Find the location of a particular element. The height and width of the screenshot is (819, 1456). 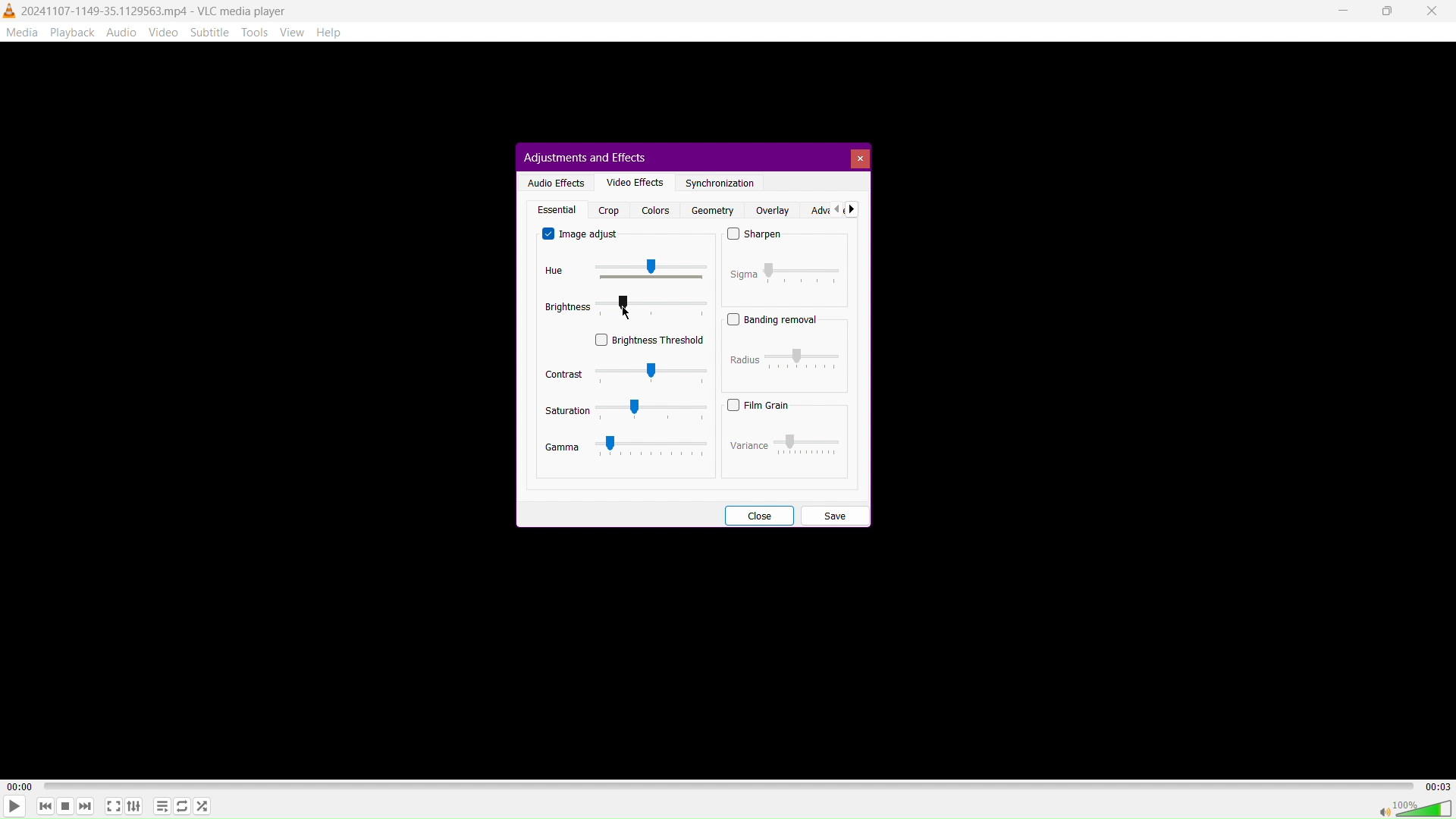

Media is located at coordinates (21, 31).